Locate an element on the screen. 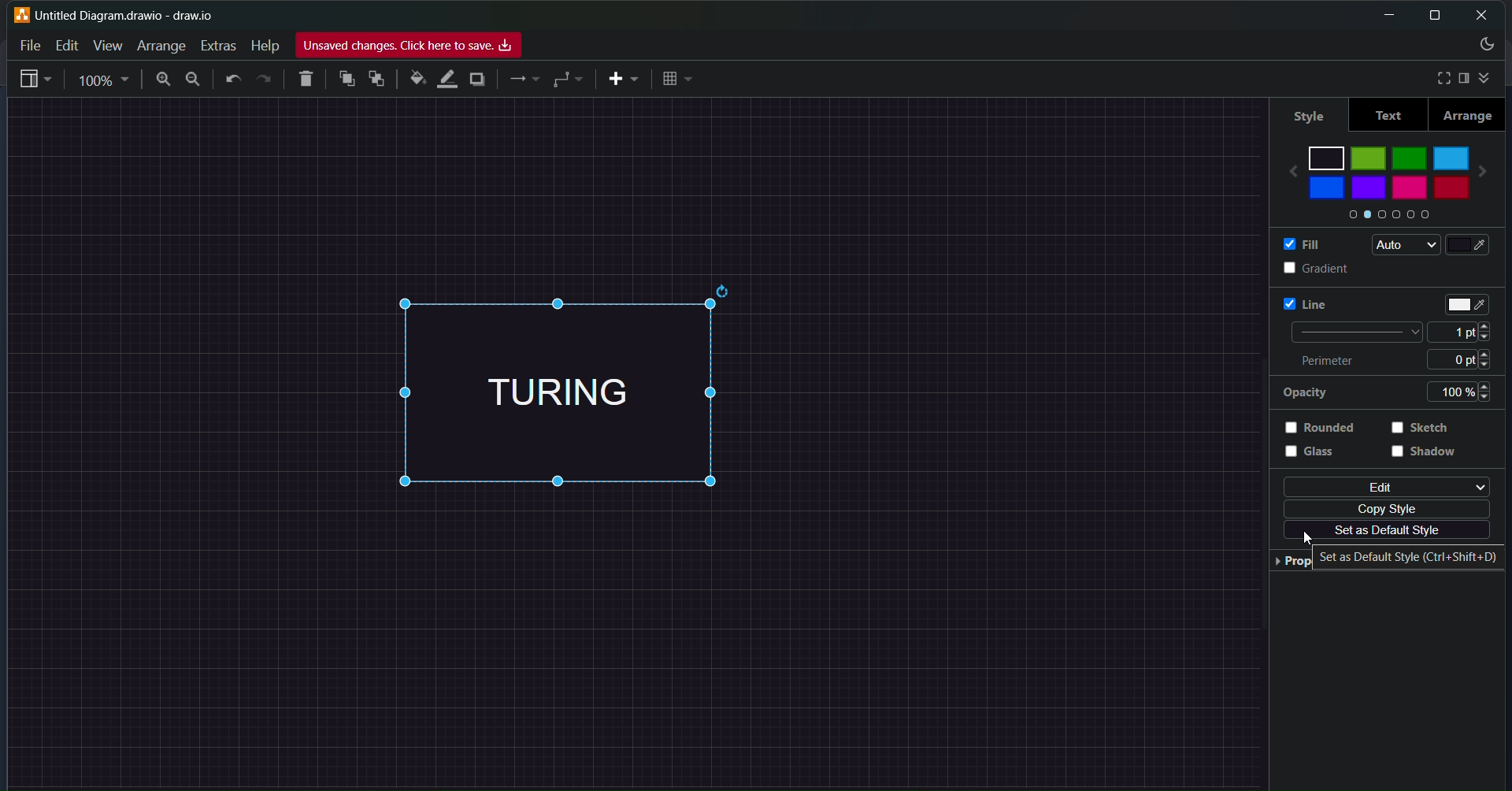 The width and height of the screenshot is (1512, 791). perimeter is located at coordinates (1336, 362).